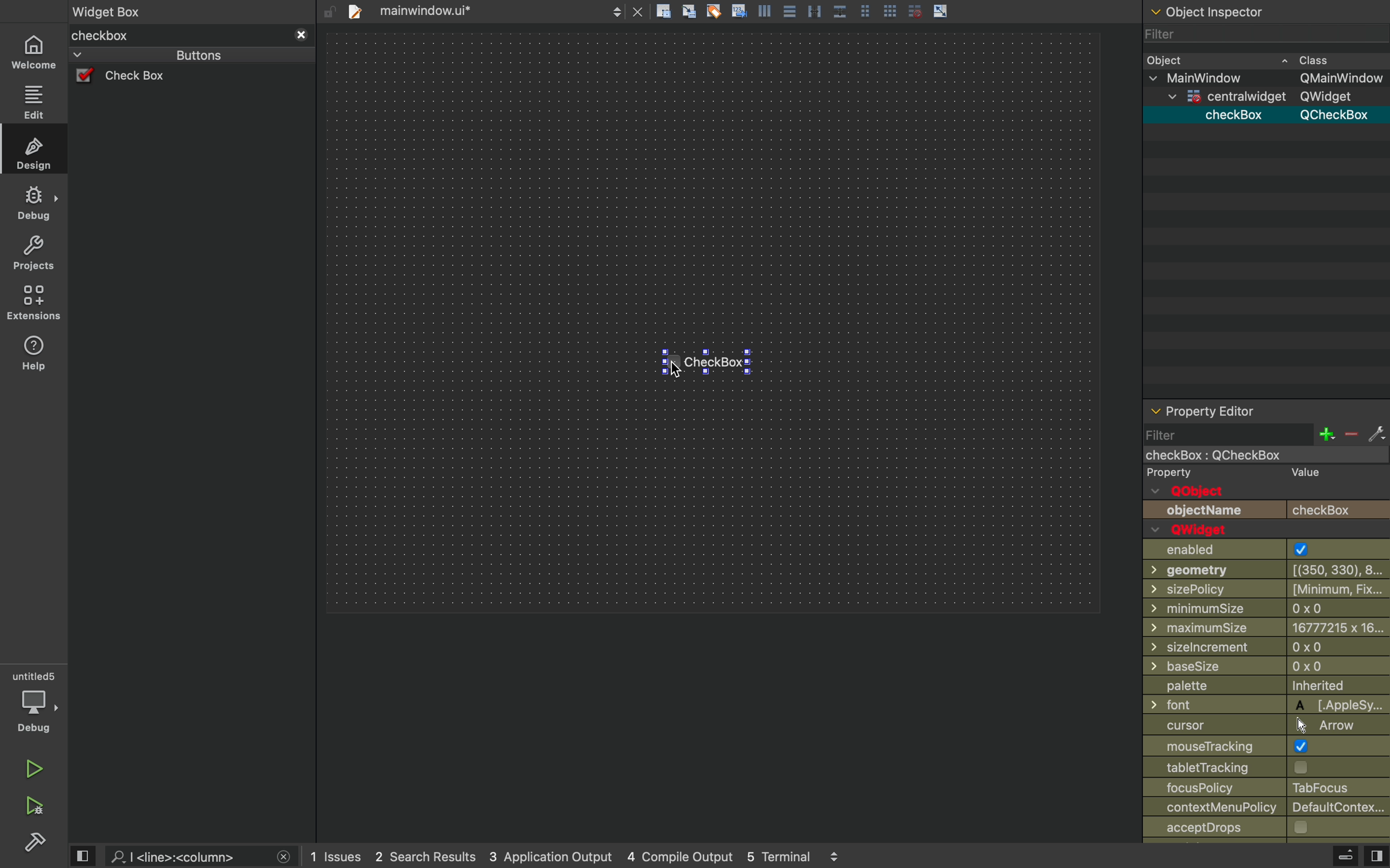 This screenshot has width=1390, height=868. What do you see at coordinates (713, 323) in the screenshot?
I see `design area` at bounding box center [713, 323].